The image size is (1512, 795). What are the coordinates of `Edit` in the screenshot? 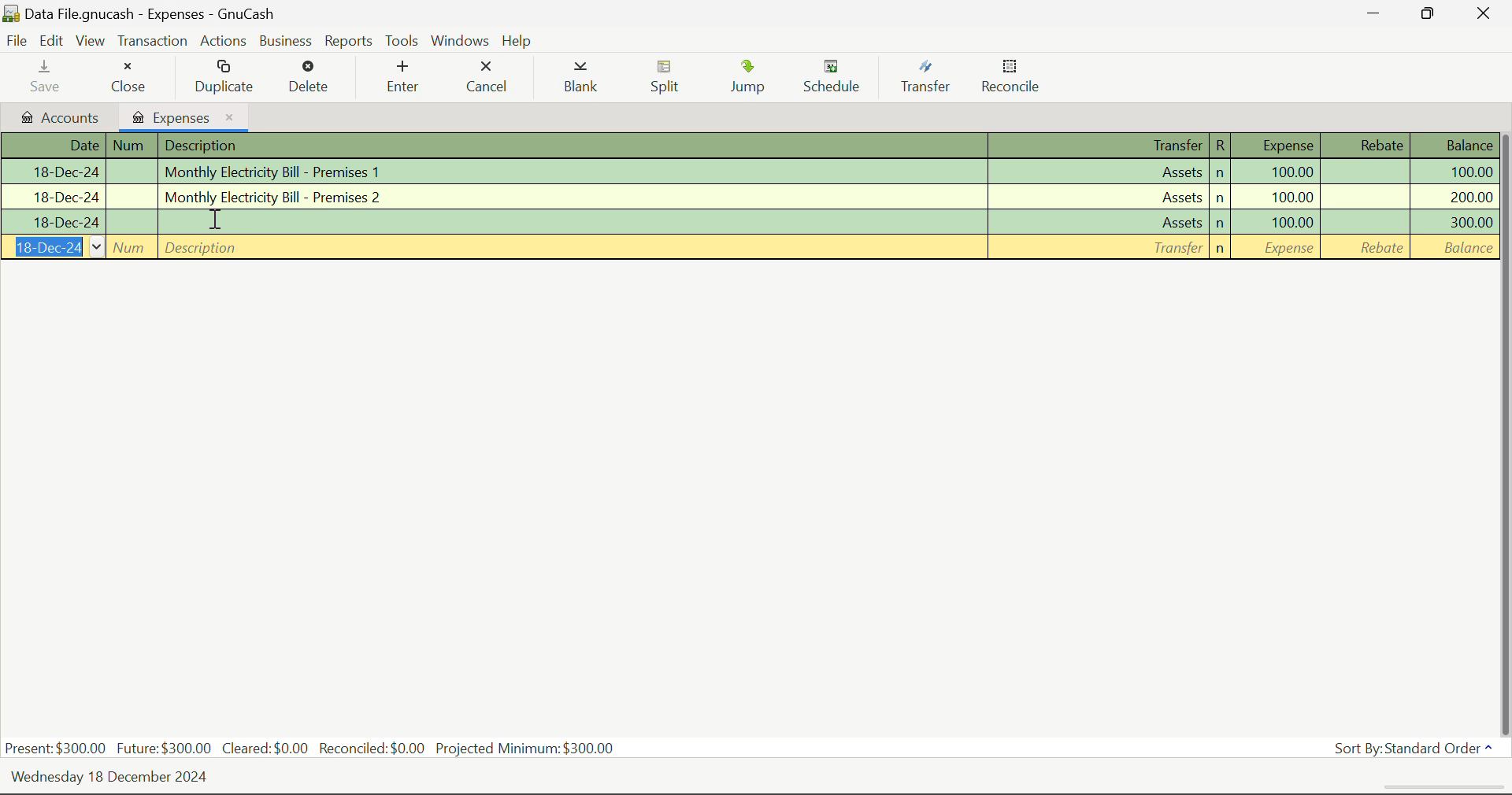 It's located at (54, 42).